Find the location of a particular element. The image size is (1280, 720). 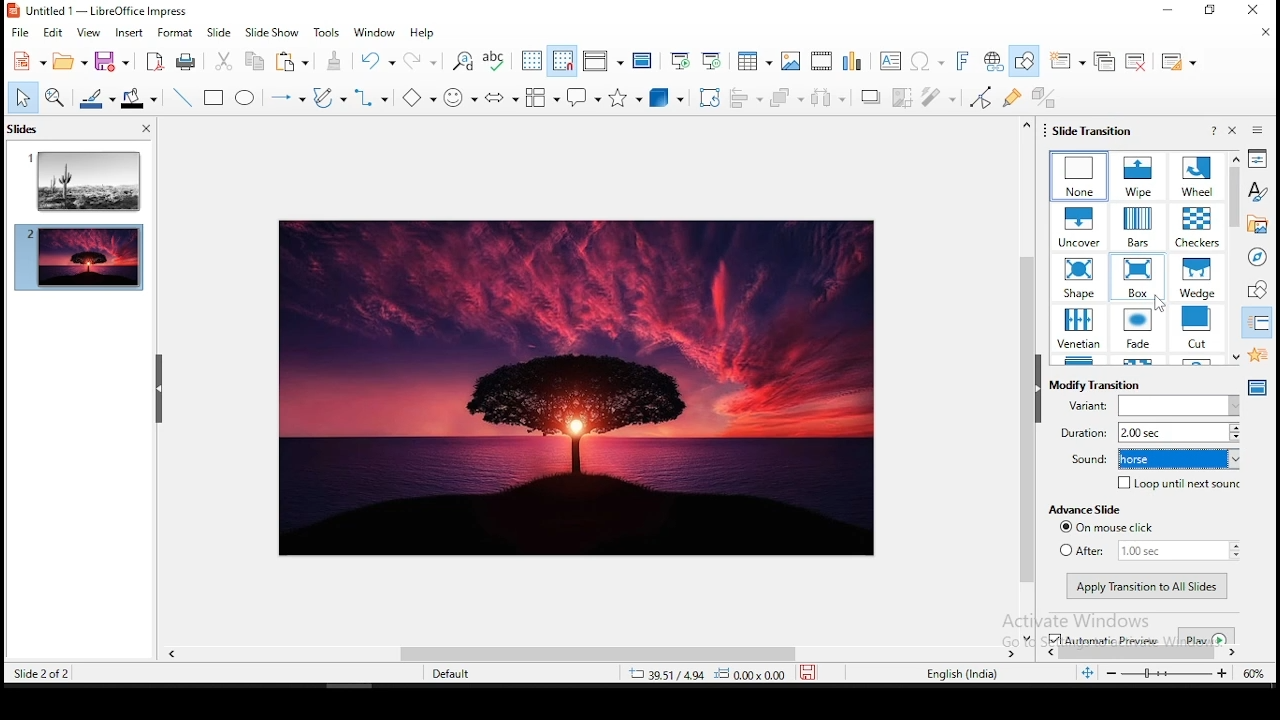

scroll bar is located at coordinates (1237, 255).